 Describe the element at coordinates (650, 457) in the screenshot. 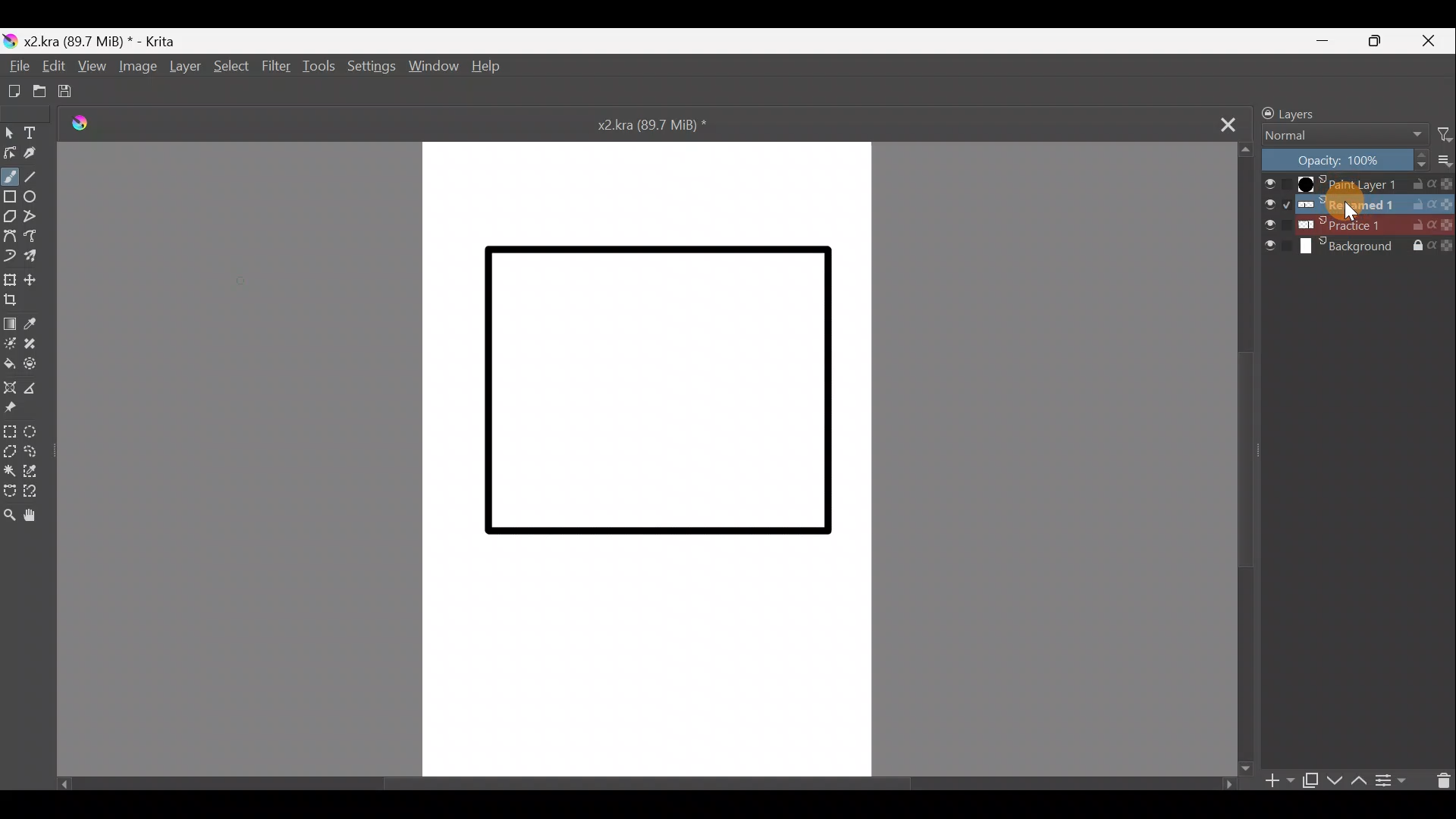

I see `Canvas` at that location.